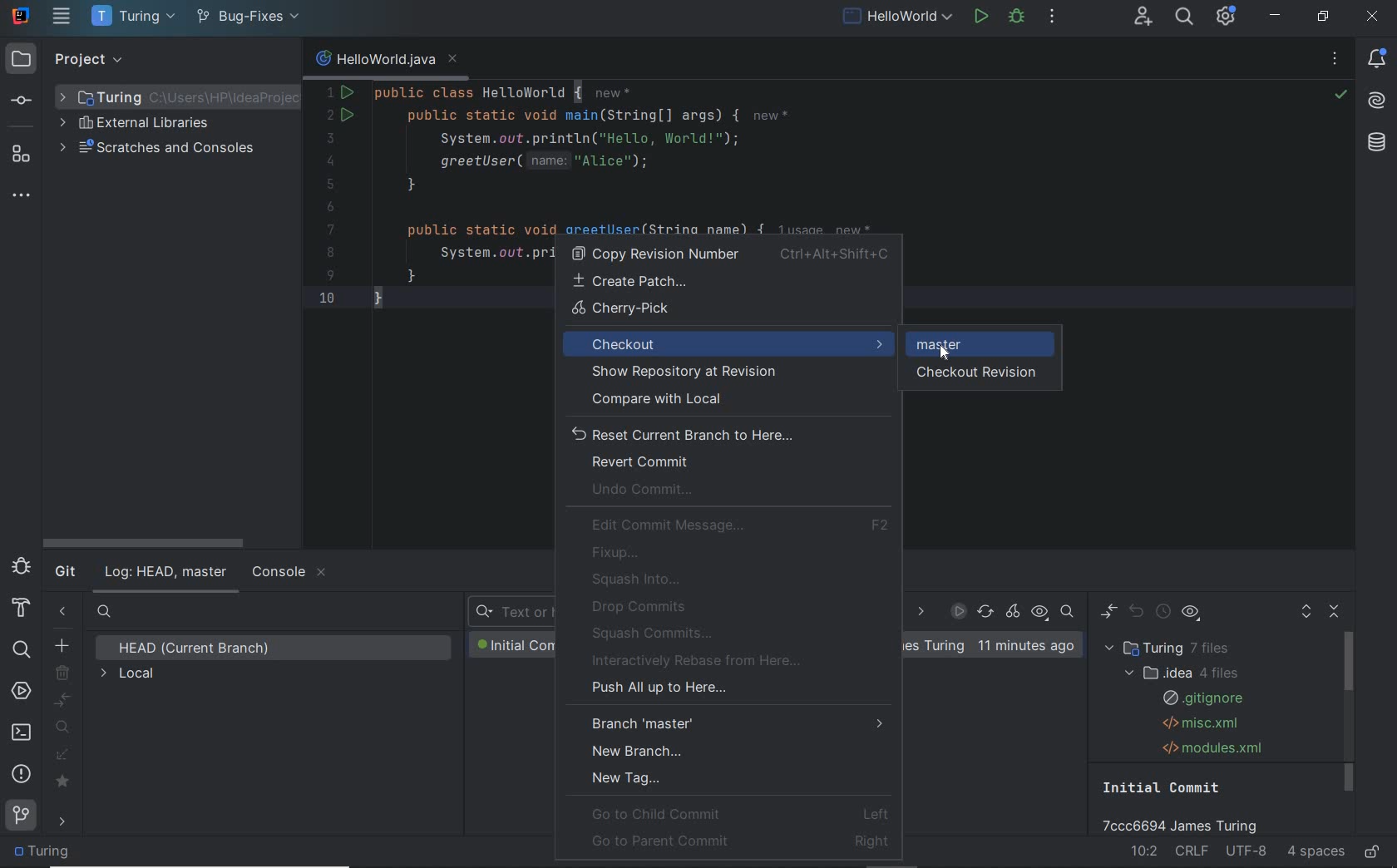  I want to click on new tag, so click(627, 777).